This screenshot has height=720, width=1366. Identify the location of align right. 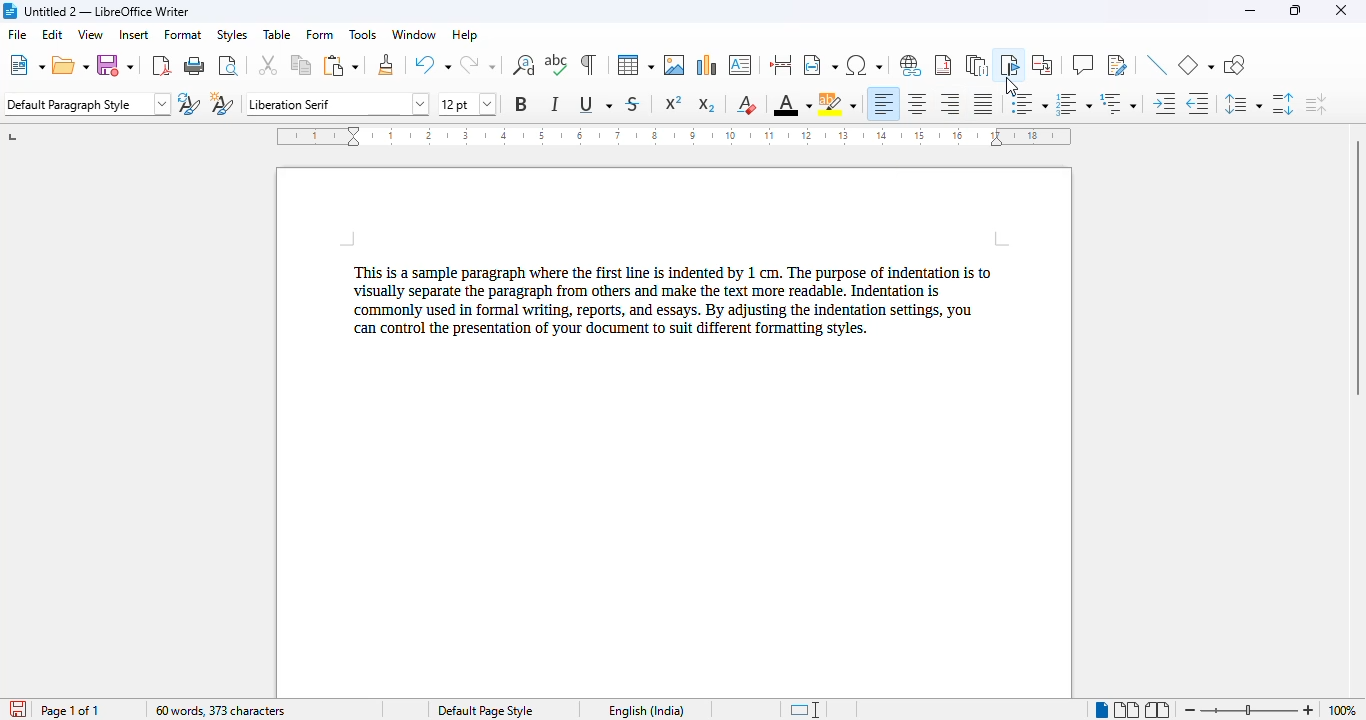
(949, 103).